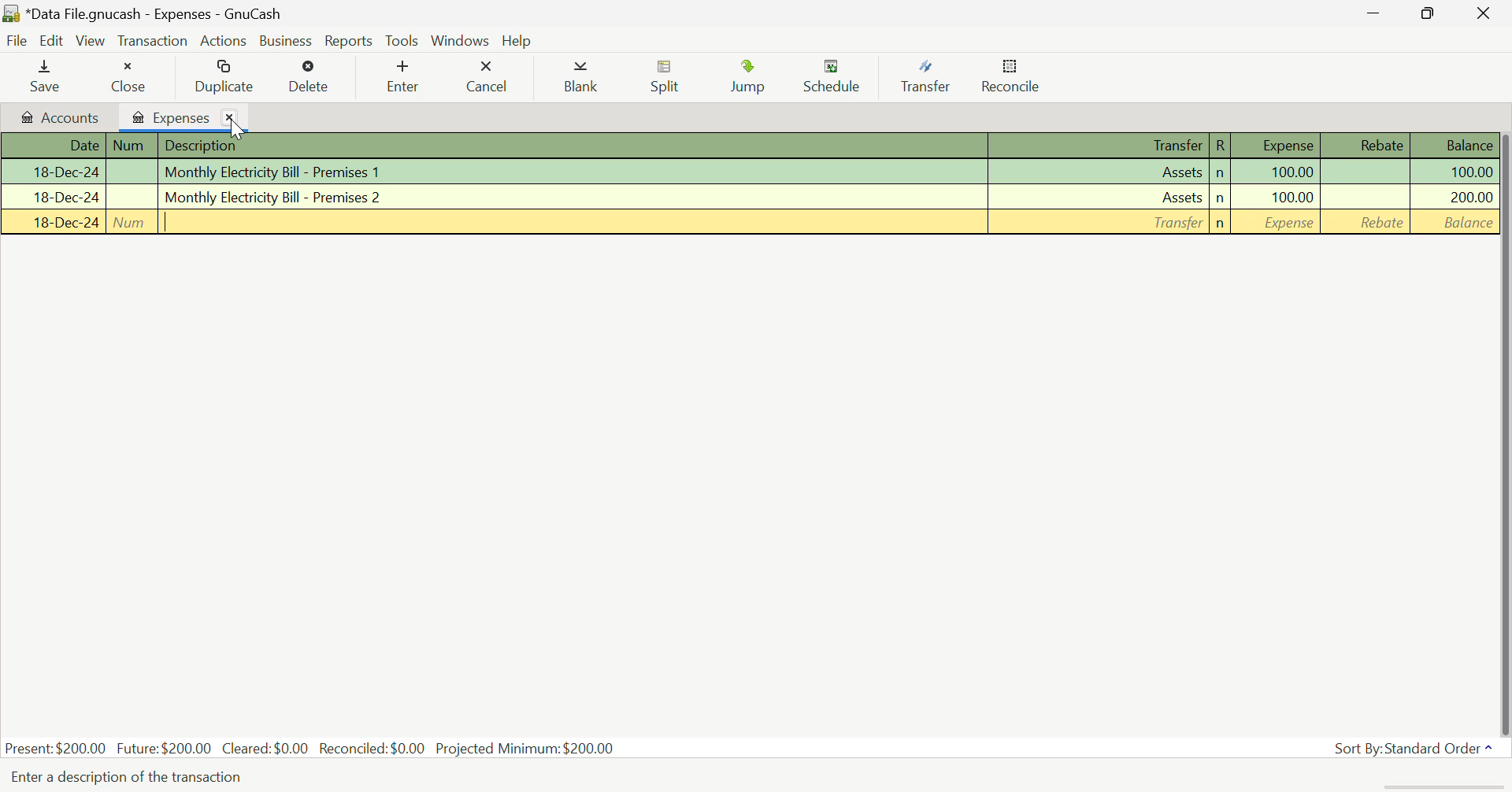  I want to click on Actions, so click(225, 40).